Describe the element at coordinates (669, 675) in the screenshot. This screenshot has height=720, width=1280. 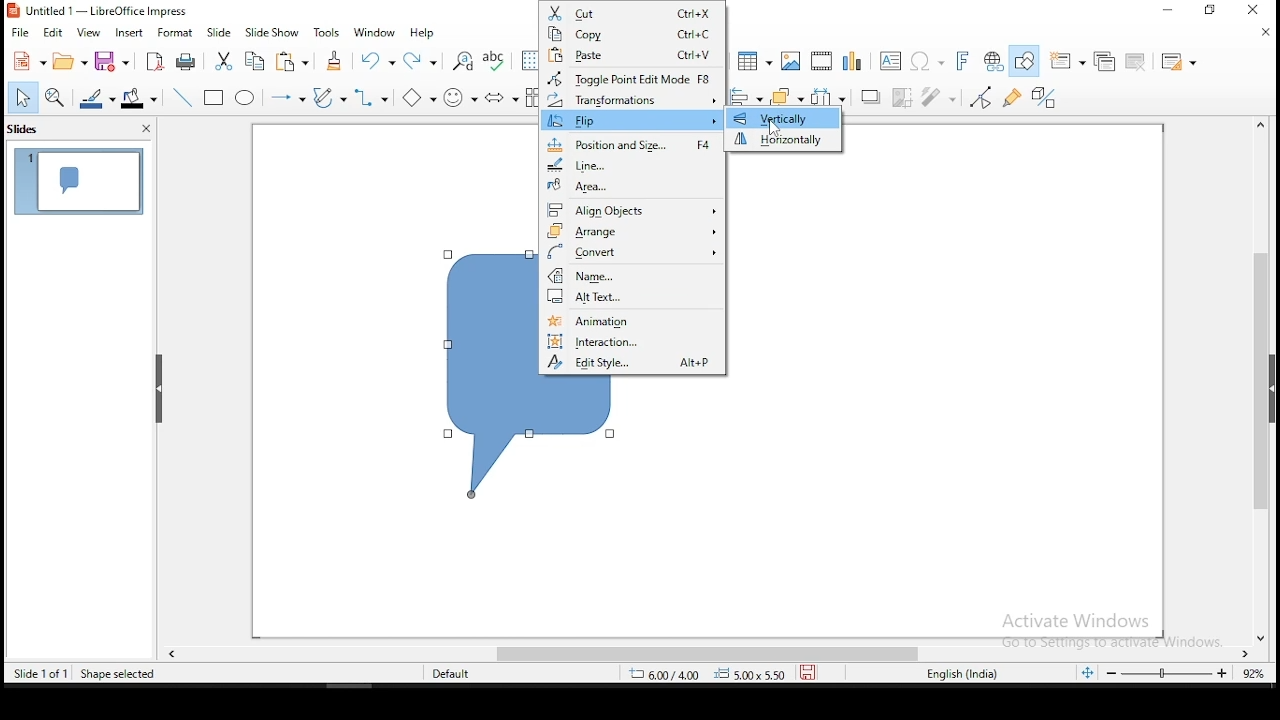
I see `8.80/6.27` at that location.